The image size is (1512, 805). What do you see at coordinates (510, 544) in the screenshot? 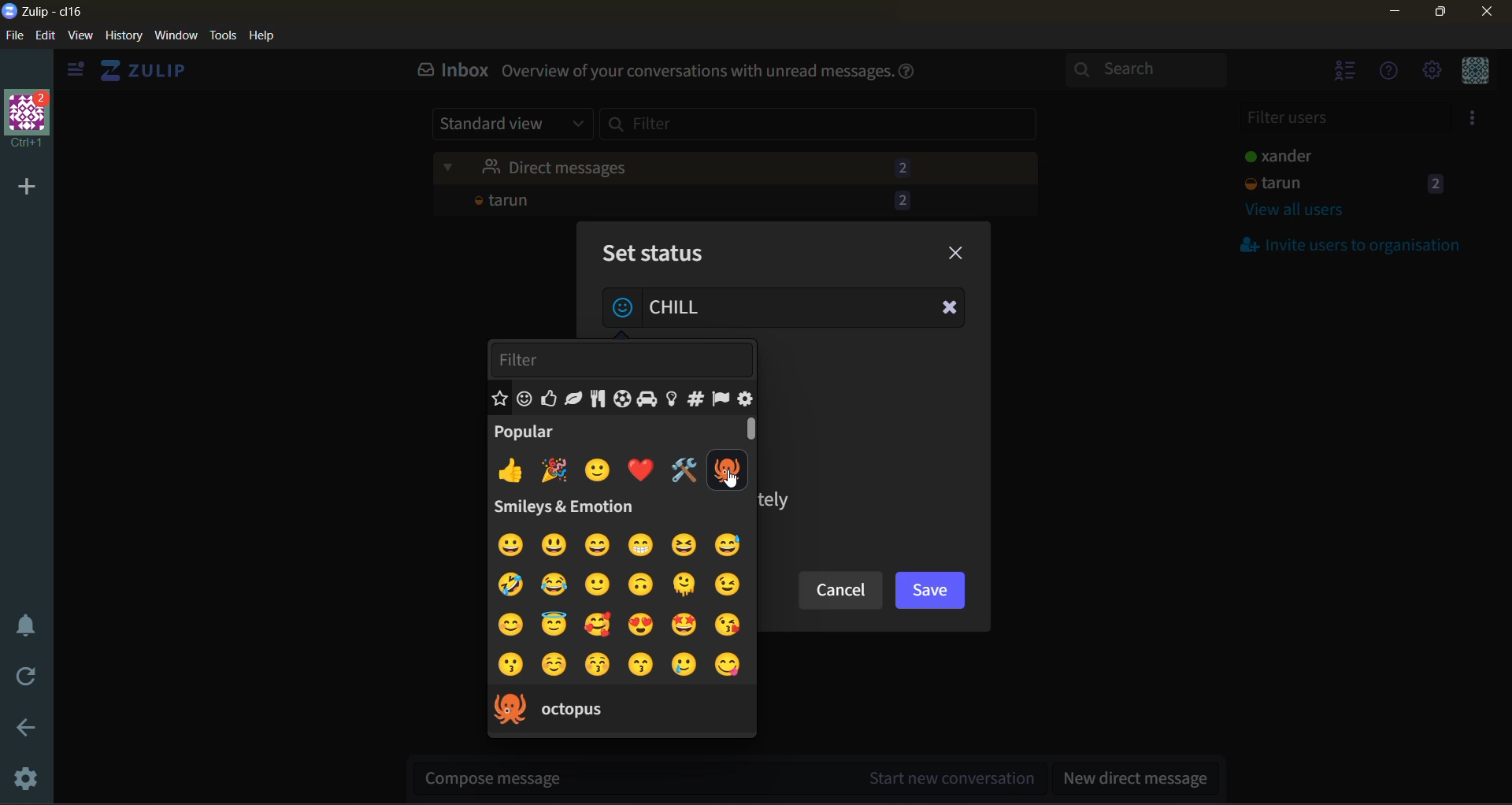
I see `emoji` at bounding box center [510, 544].